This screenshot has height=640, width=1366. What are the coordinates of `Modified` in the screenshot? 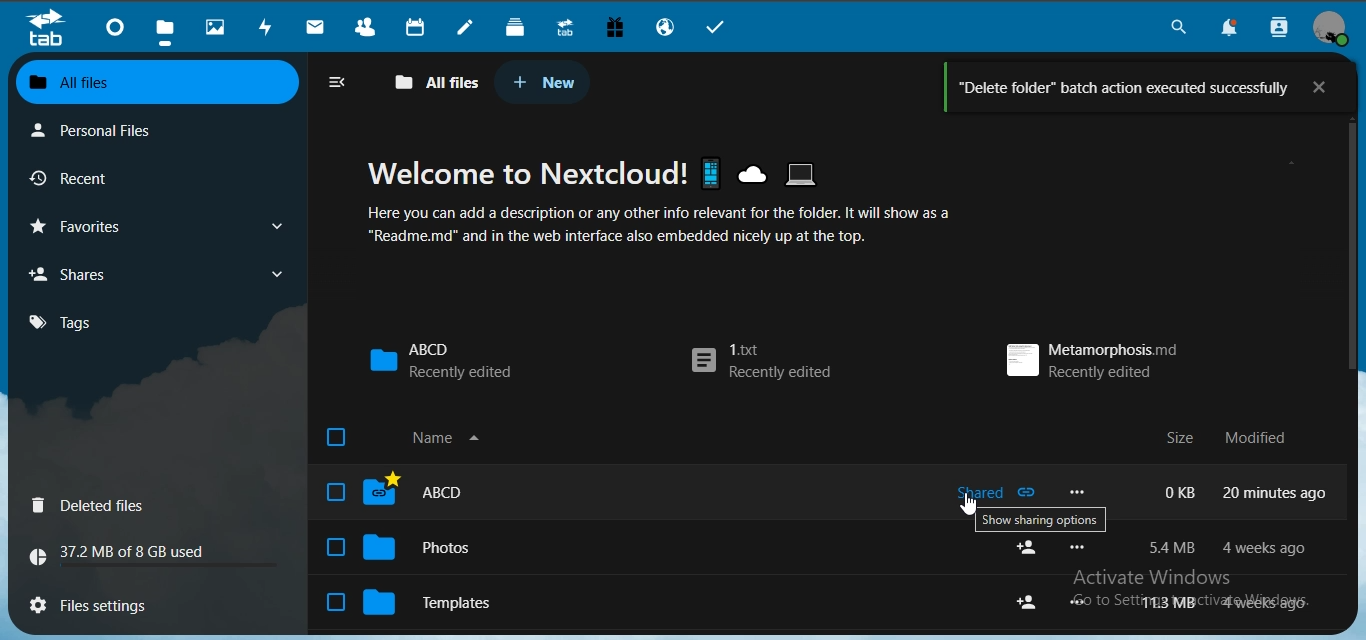 It's located at (1264, 438).